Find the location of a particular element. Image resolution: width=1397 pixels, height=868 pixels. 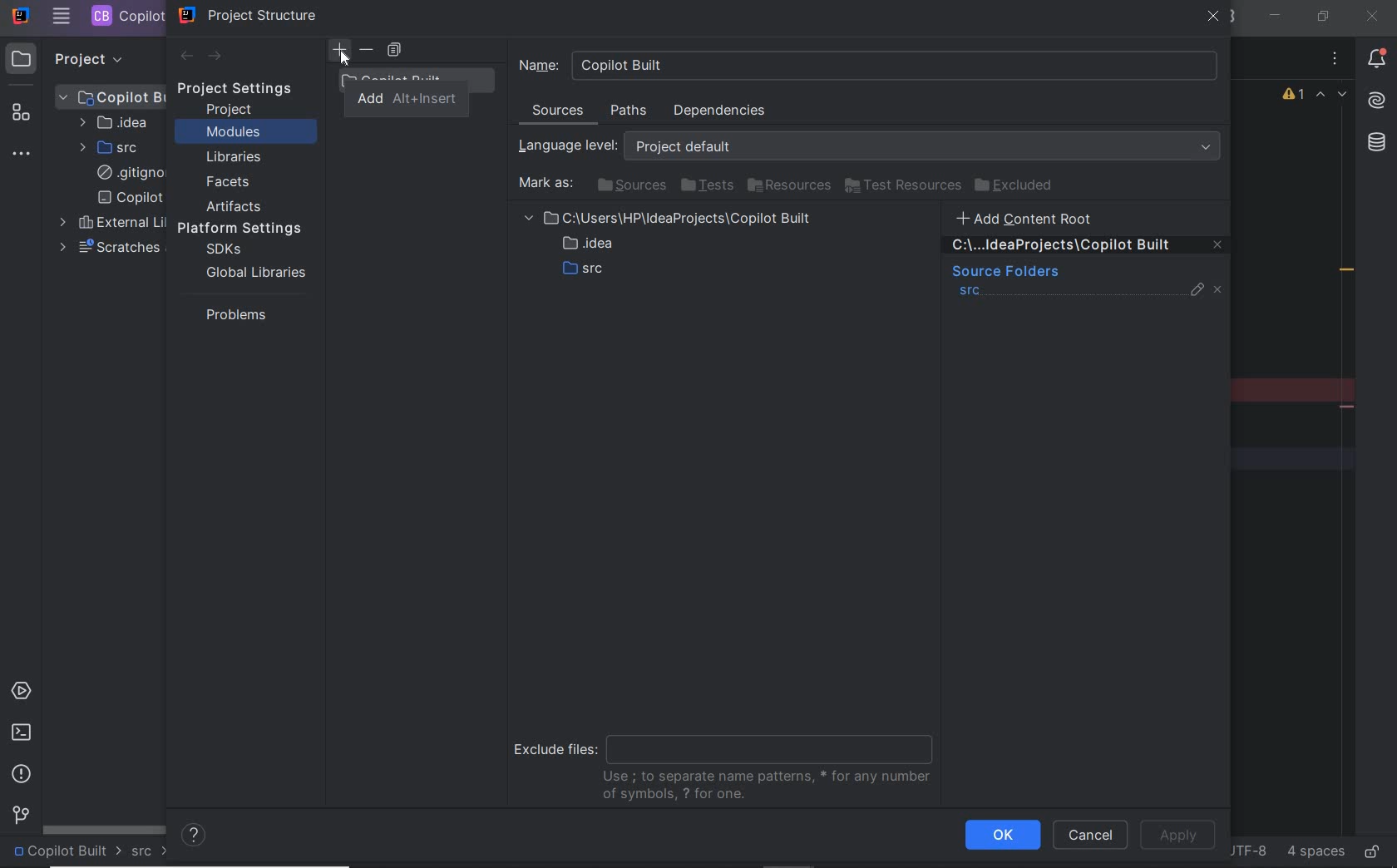

libraries is located at coordinates (234, 158).